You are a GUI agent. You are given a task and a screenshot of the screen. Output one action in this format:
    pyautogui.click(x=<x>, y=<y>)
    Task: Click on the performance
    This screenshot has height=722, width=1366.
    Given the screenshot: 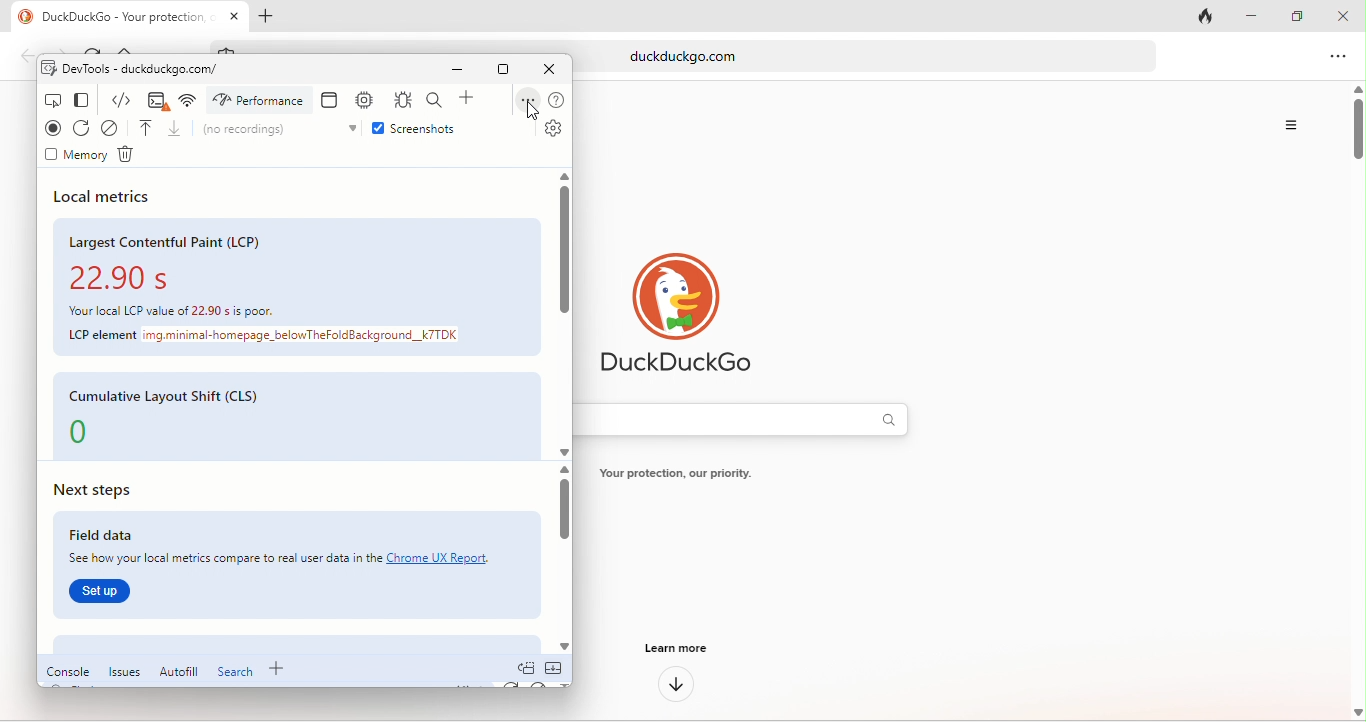 What is the action you would take?
    pyautogui.click(x=261, y=100)
    